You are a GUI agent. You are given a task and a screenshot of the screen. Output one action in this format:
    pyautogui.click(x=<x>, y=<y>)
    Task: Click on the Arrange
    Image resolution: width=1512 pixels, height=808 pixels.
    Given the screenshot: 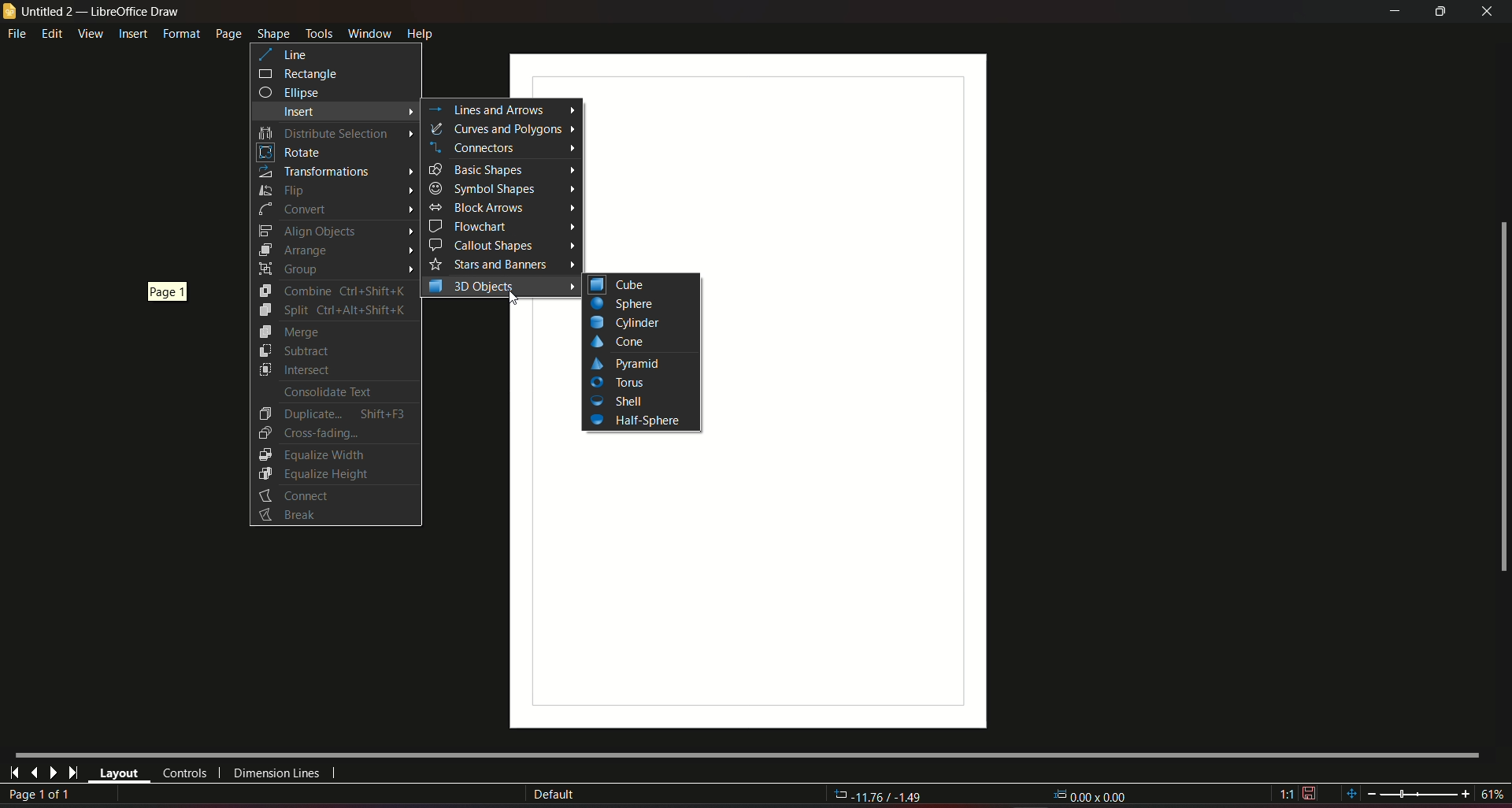 What is the action you would take?
    pyautogui.click(x=298, y=250)
    